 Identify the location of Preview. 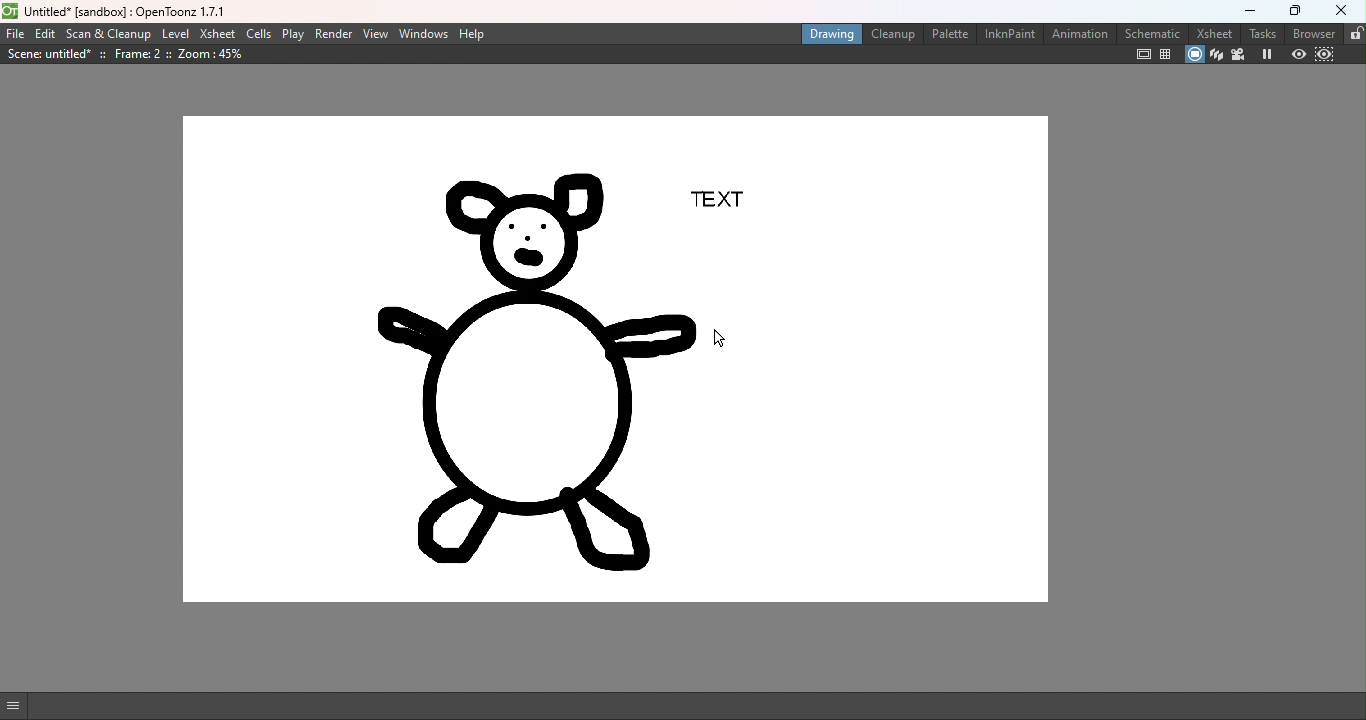
(1299, 56).